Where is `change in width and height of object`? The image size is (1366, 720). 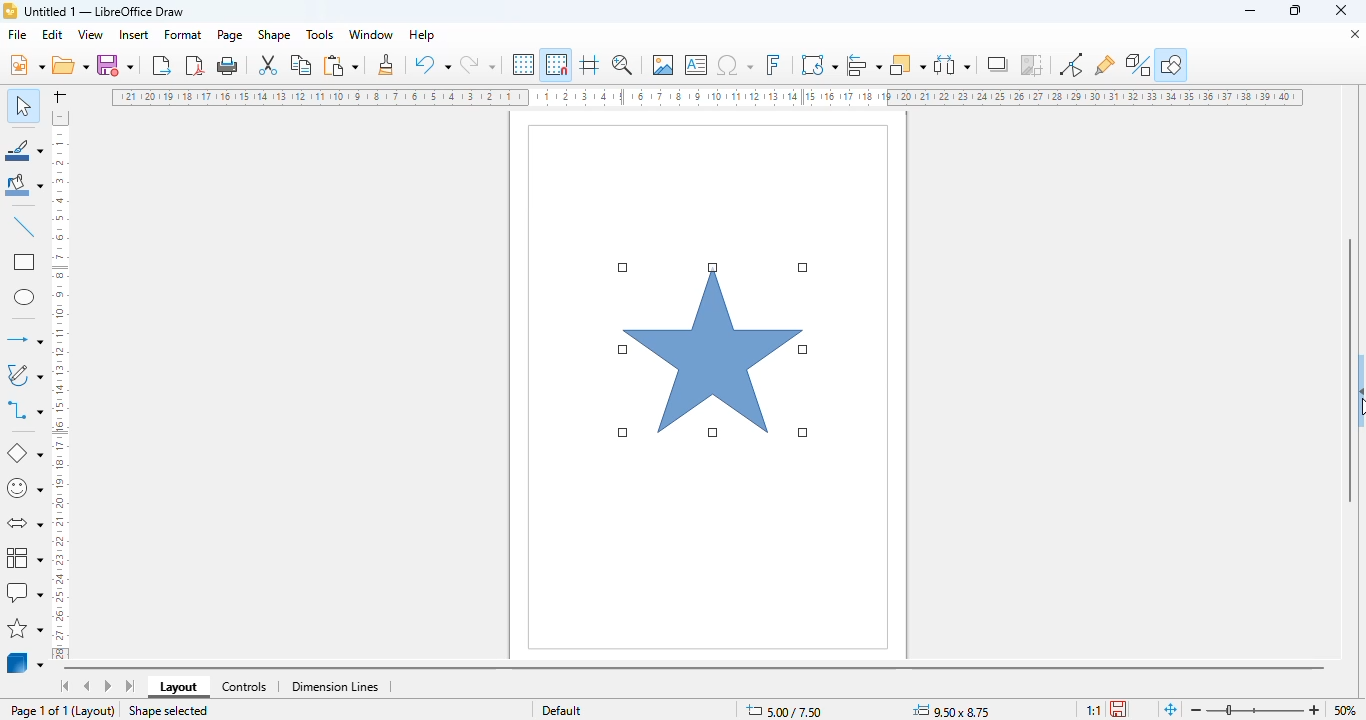 change in width and height of object is located at coordinates (952, 711).